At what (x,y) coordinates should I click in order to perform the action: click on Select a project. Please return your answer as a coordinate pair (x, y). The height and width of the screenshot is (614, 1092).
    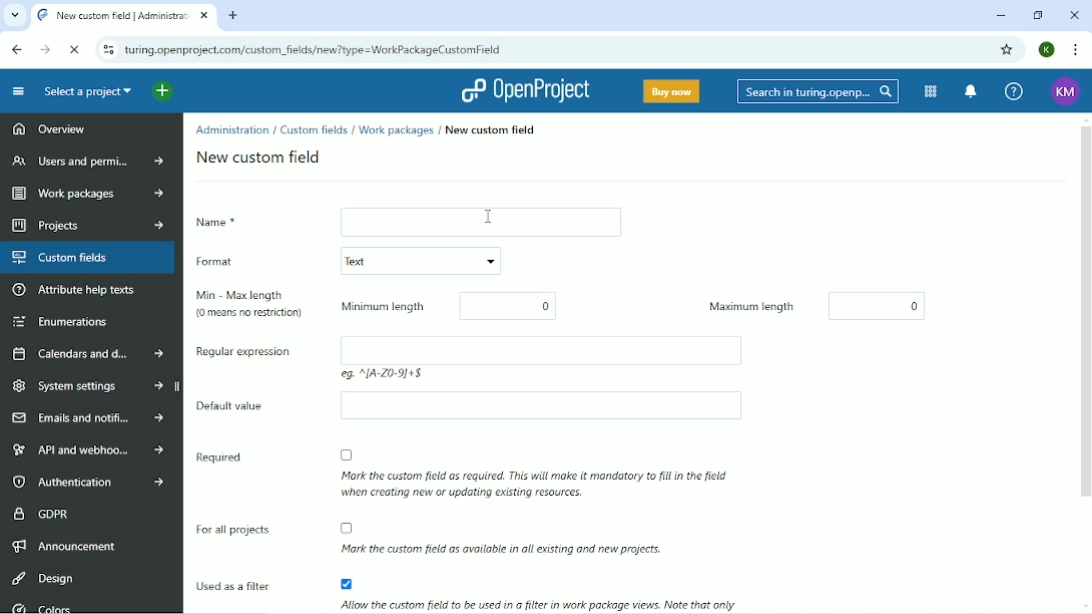
    Looking at the image, I should click on (85, 91).